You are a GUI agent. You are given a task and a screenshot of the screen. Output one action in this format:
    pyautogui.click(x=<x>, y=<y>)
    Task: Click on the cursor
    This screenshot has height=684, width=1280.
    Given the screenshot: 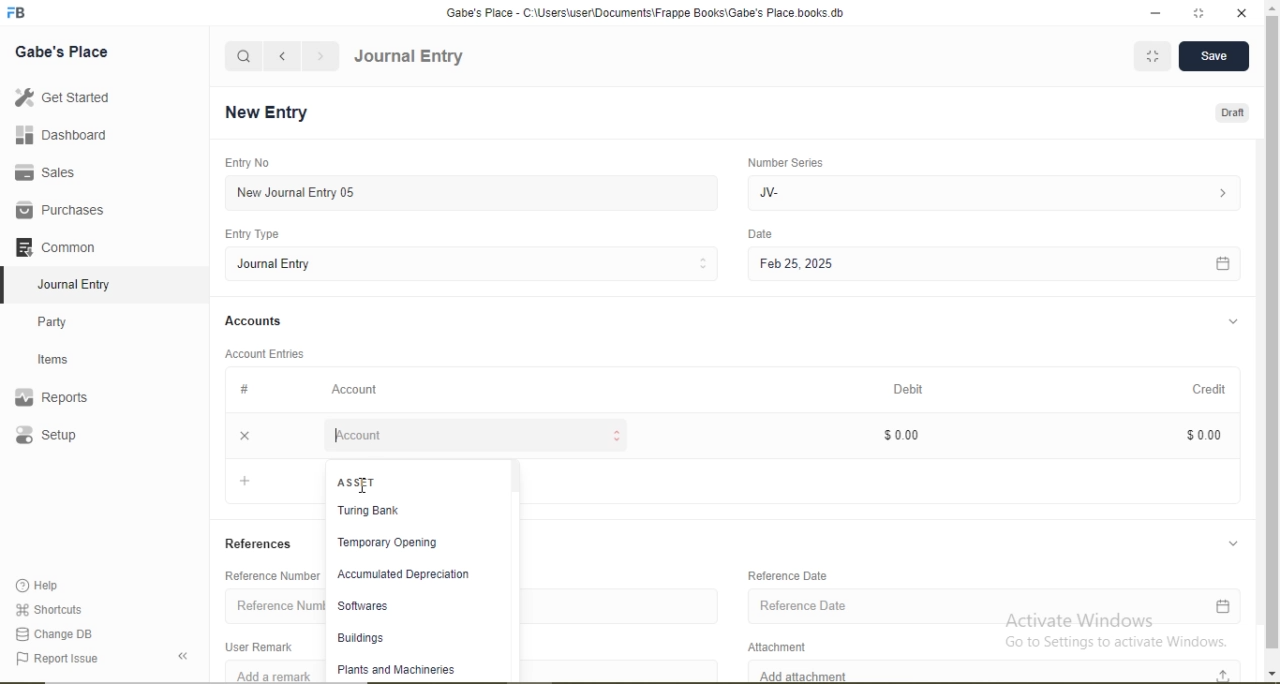 What is the action you would take?
    pyautogui.click(x=367, y=490)
    